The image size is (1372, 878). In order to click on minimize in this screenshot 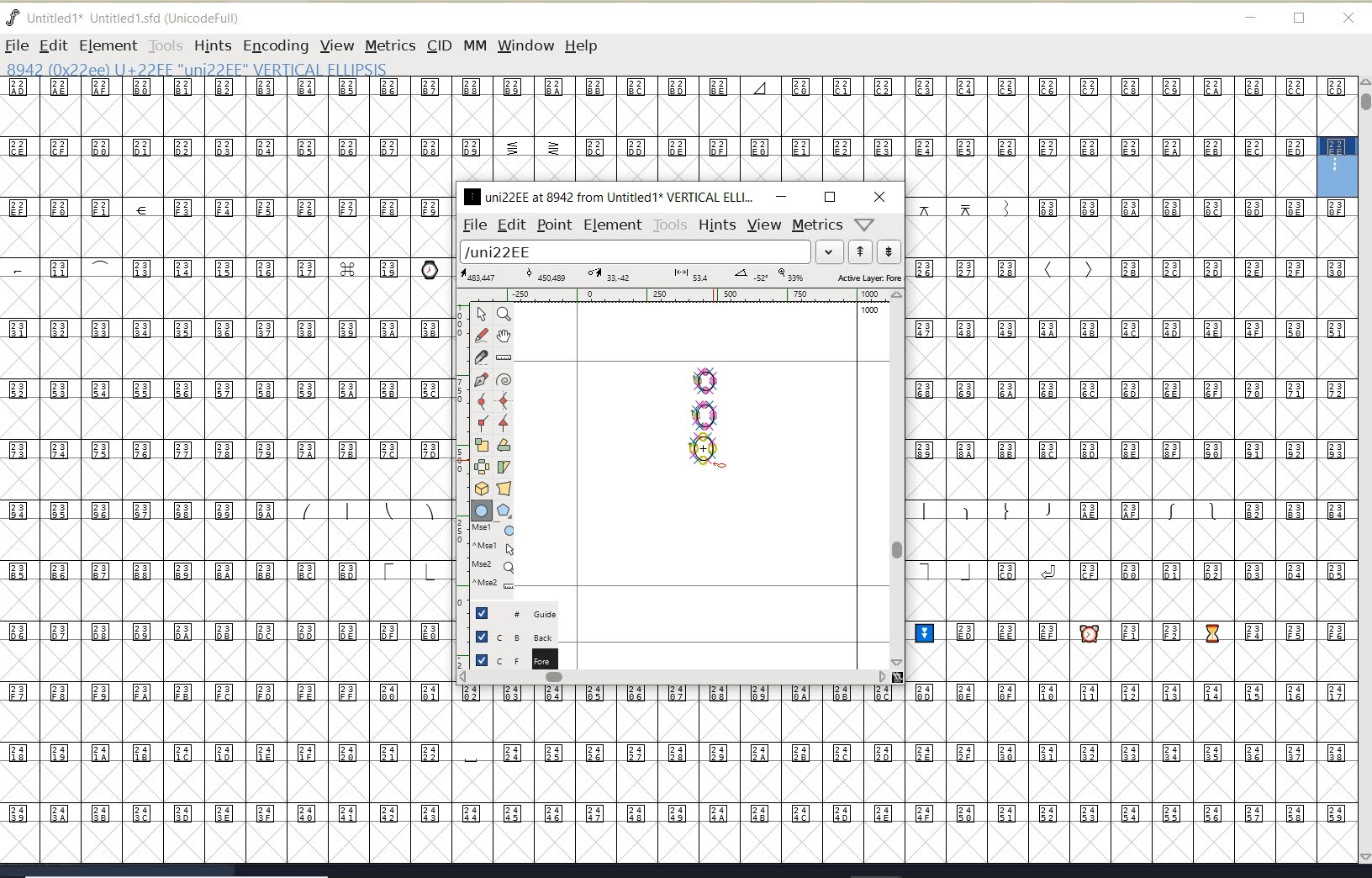, I will do `click(781, 196)`.